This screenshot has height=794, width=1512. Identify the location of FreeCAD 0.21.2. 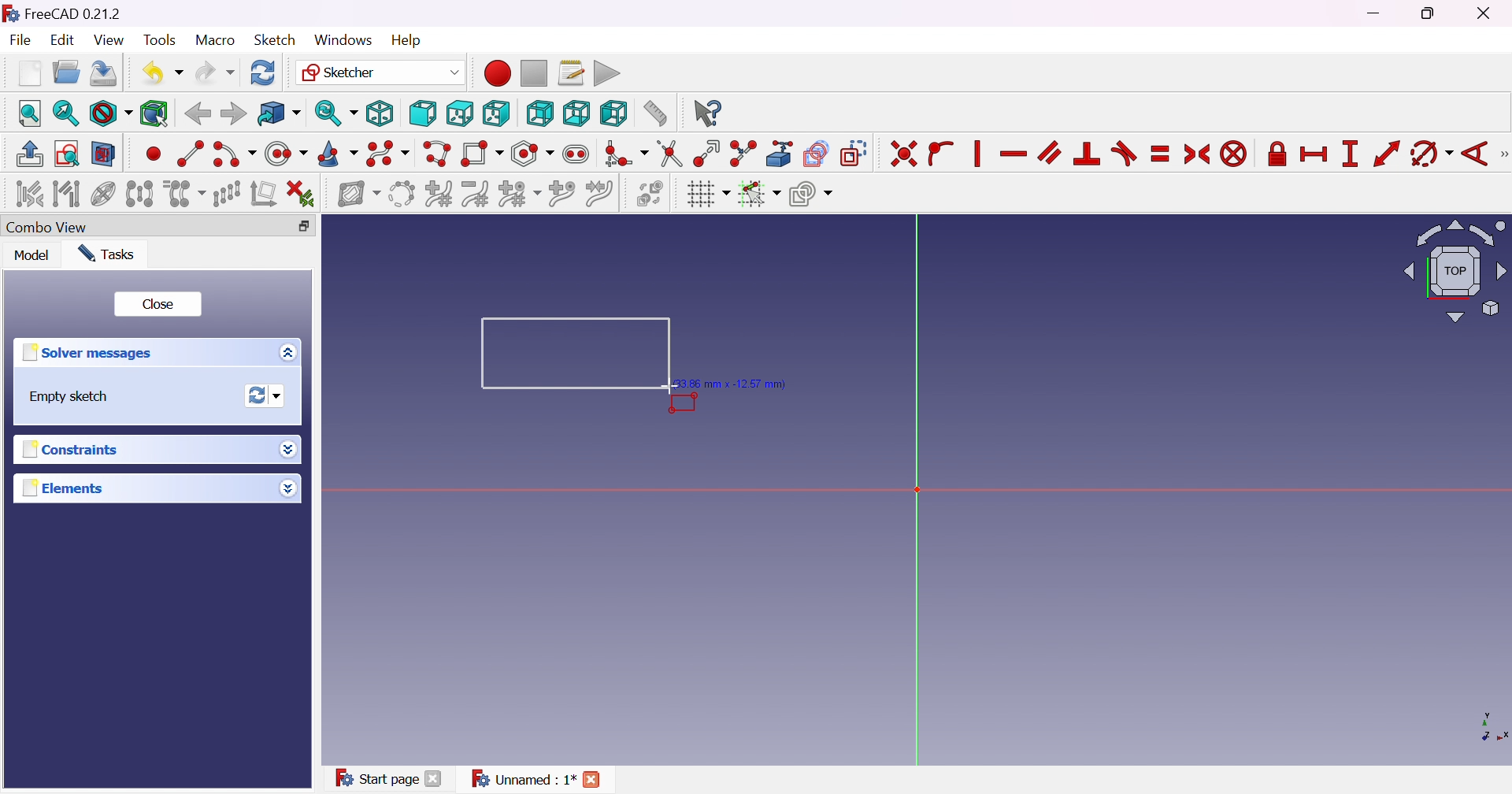
(61, 11).